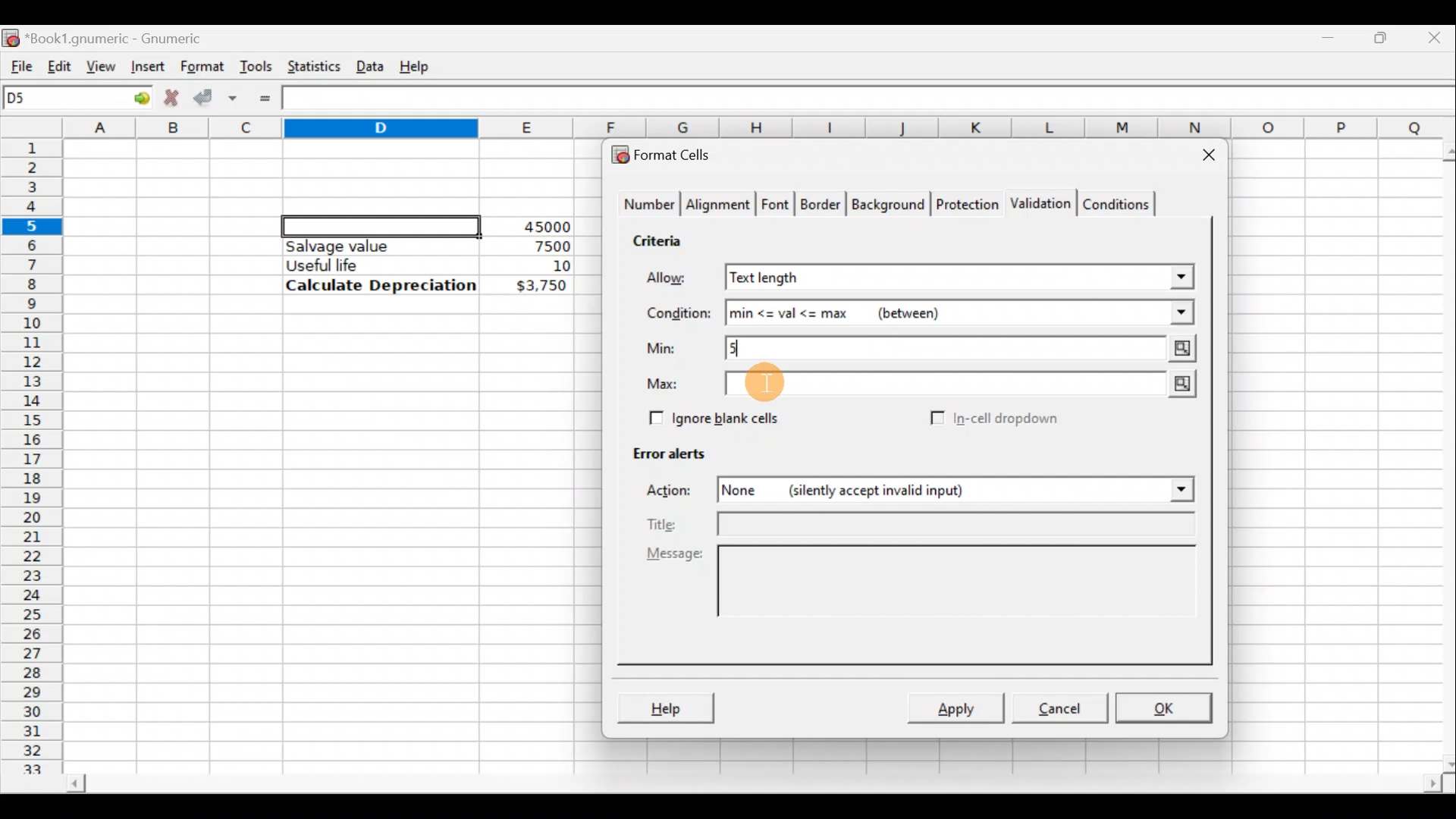 The image size is (1456, 819). Describe the element at coordinates (937, 278) in the screenshot. I see `Text length selected` at that location.